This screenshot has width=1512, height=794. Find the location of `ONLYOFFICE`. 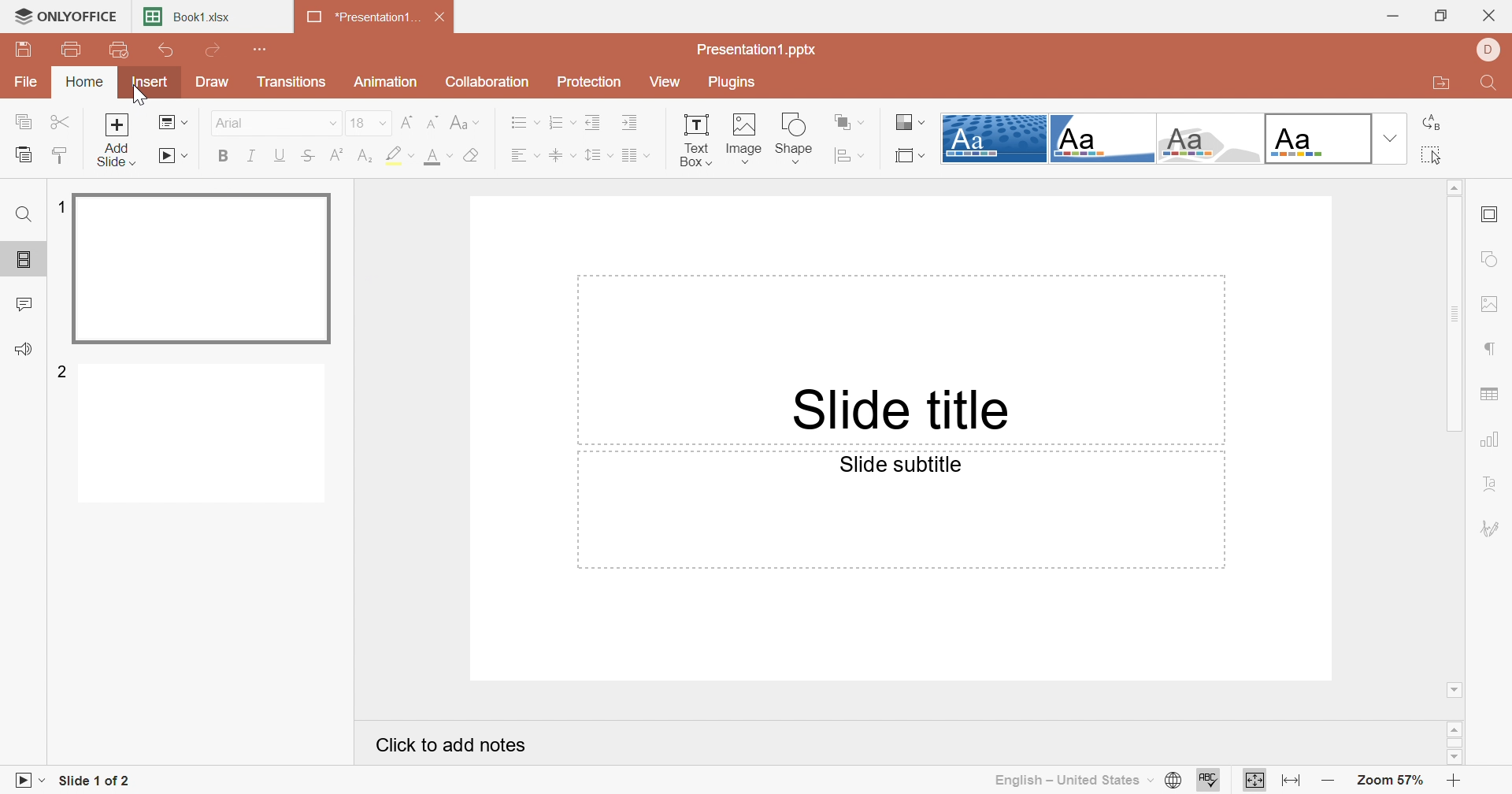

ONLYOFFICE is located at coordinates (65, 14).